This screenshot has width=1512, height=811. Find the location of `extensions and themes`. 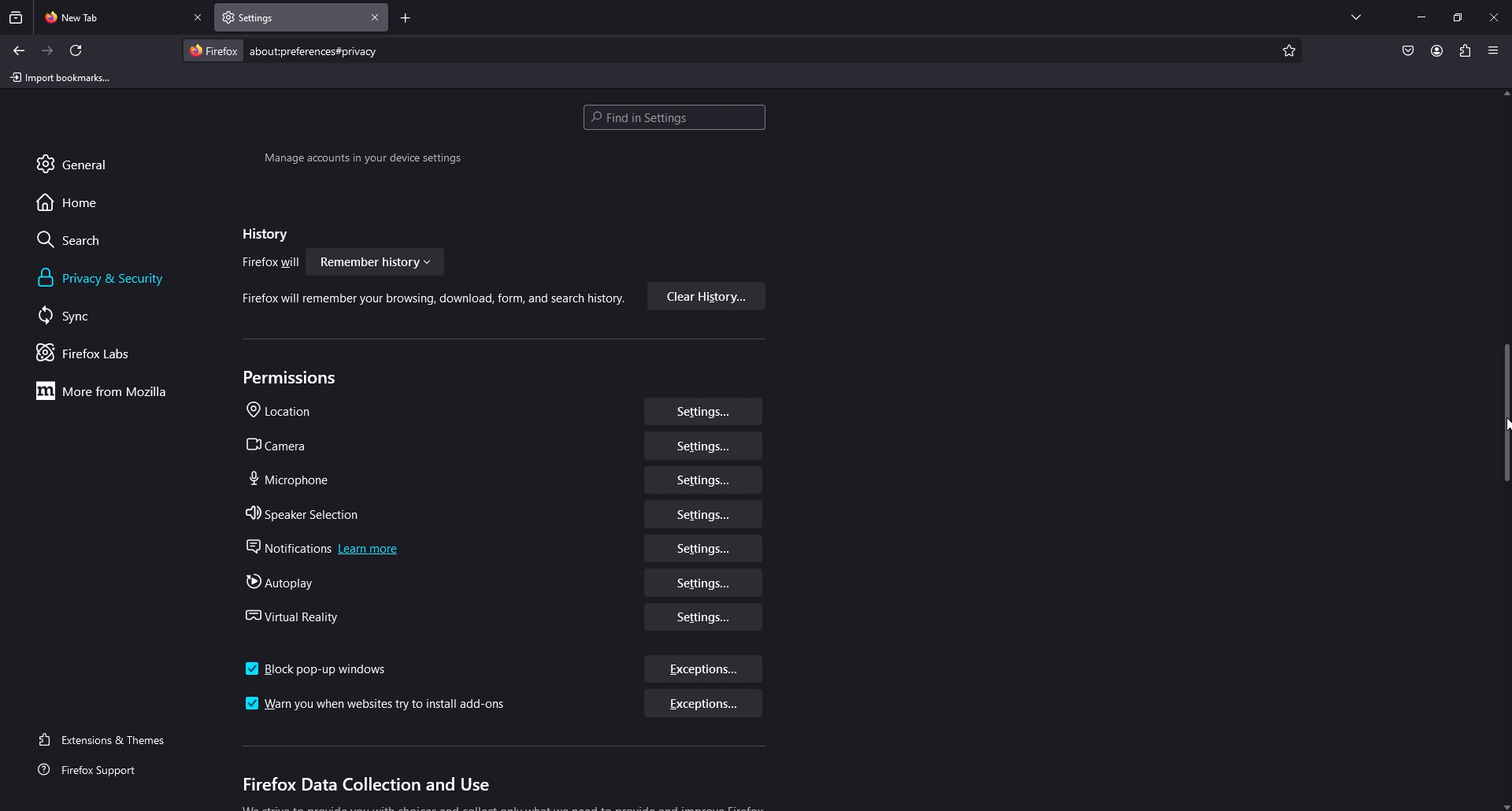

extensions and themes is located at coordinates (112, 738).